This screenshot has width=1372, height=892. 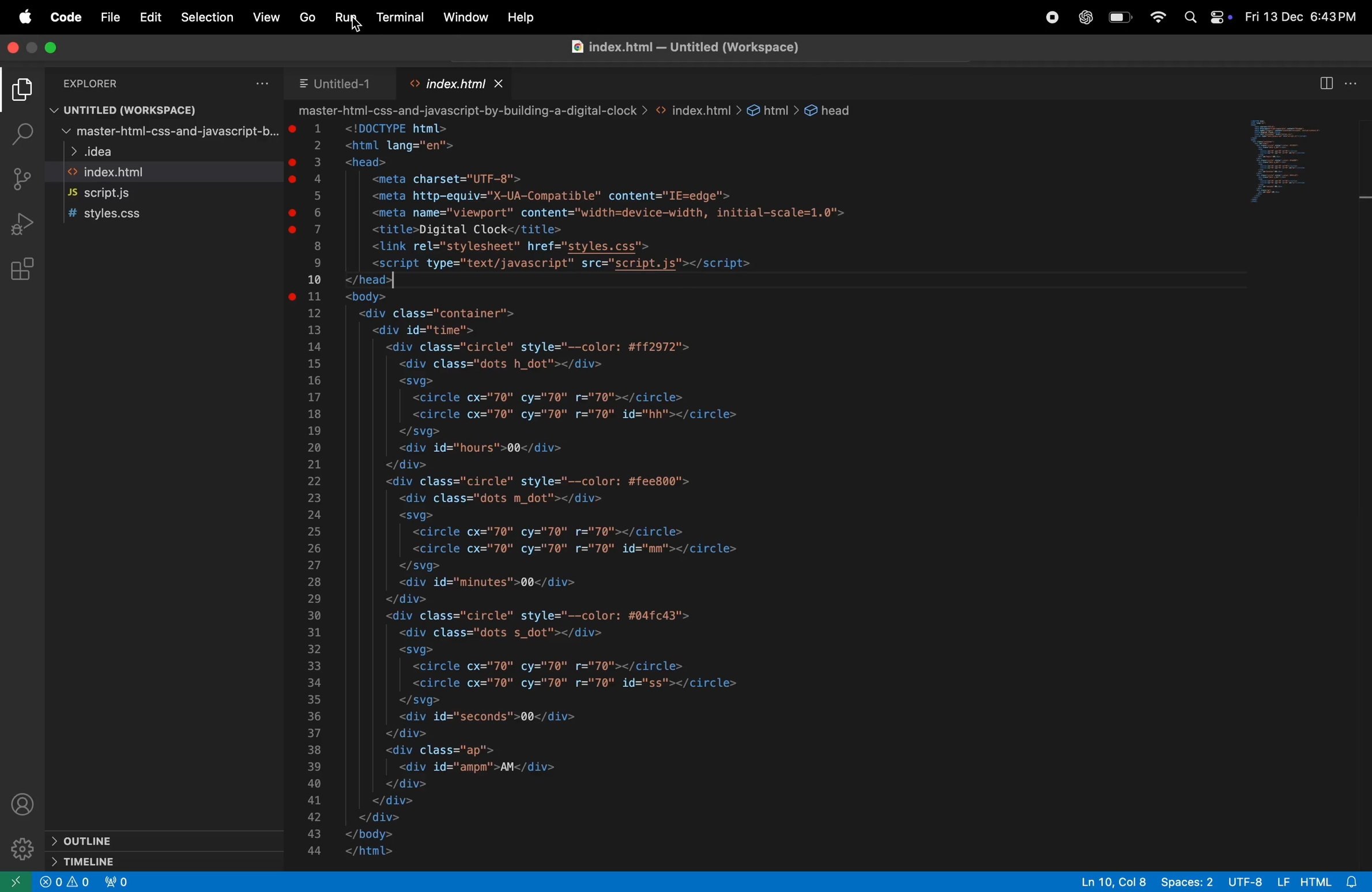 What do you see at coordinates (1114, 882) in the screenshot?
I see `line 10 col 28` at bounding box center [1114, 882].